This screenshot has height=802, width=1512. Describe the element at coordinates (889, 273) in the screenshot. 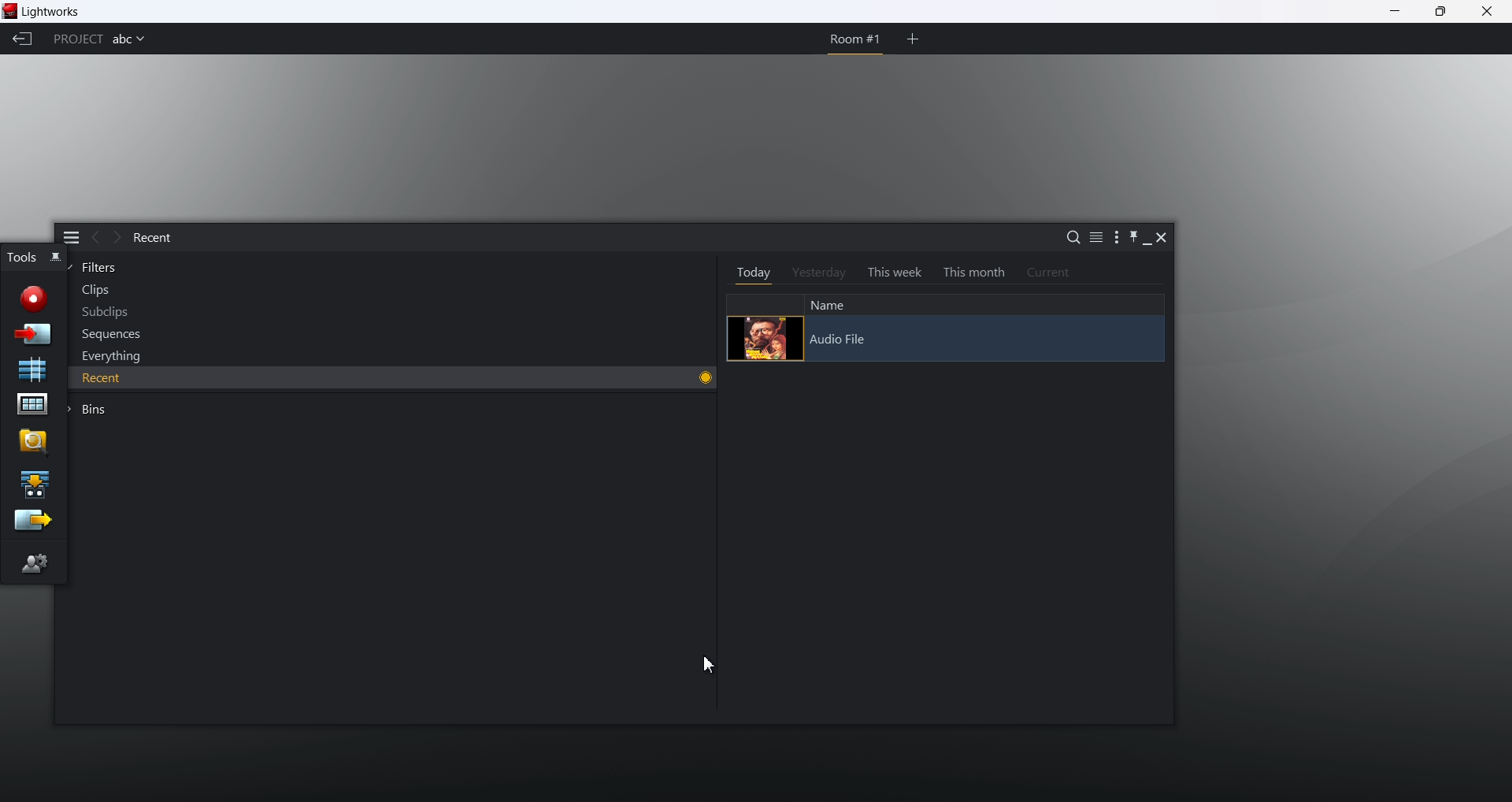

I see `this week` at that location.